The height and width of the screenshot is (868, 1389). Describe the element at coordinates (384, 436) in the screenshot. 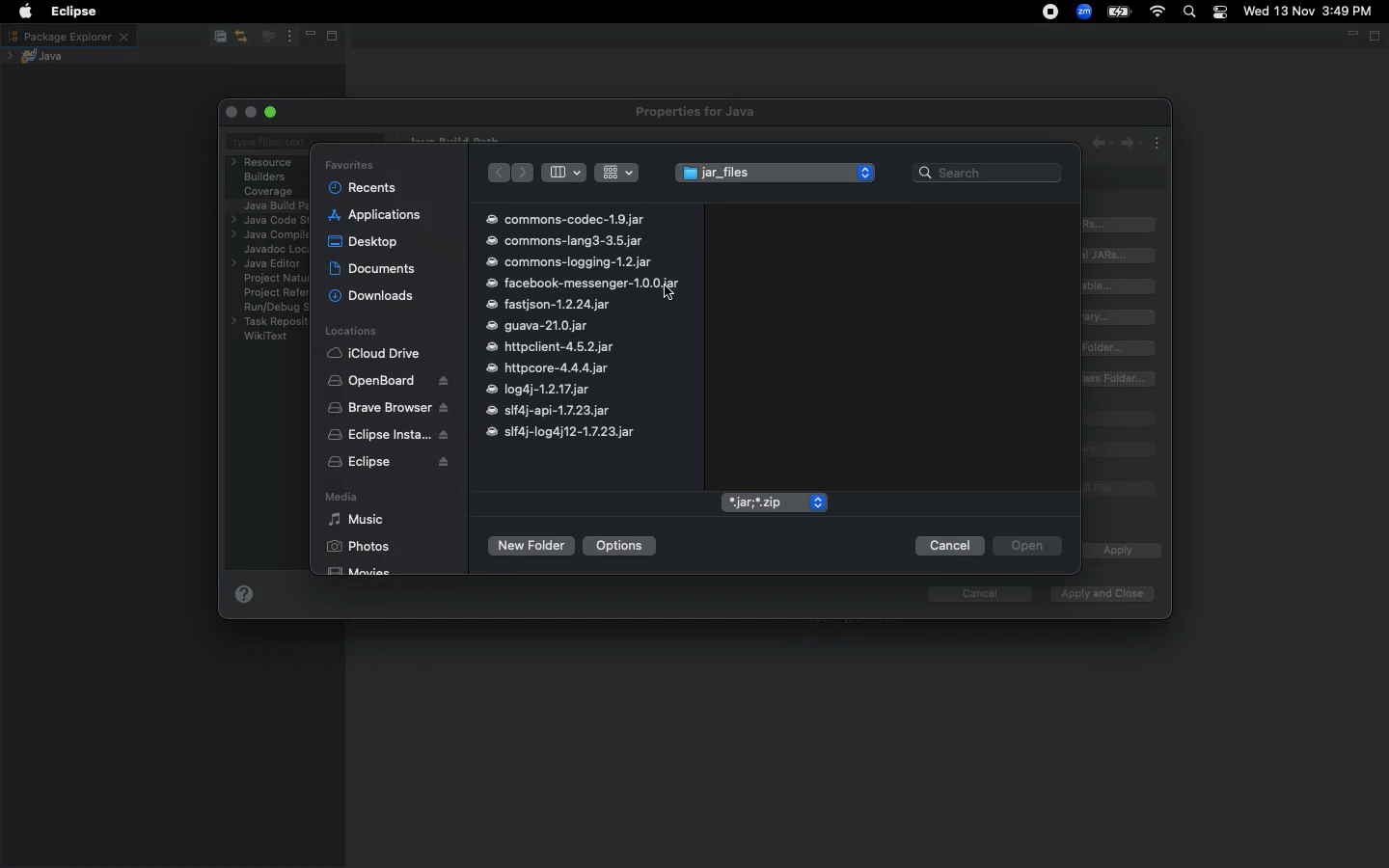

I see `Eclipse installer` at that location.